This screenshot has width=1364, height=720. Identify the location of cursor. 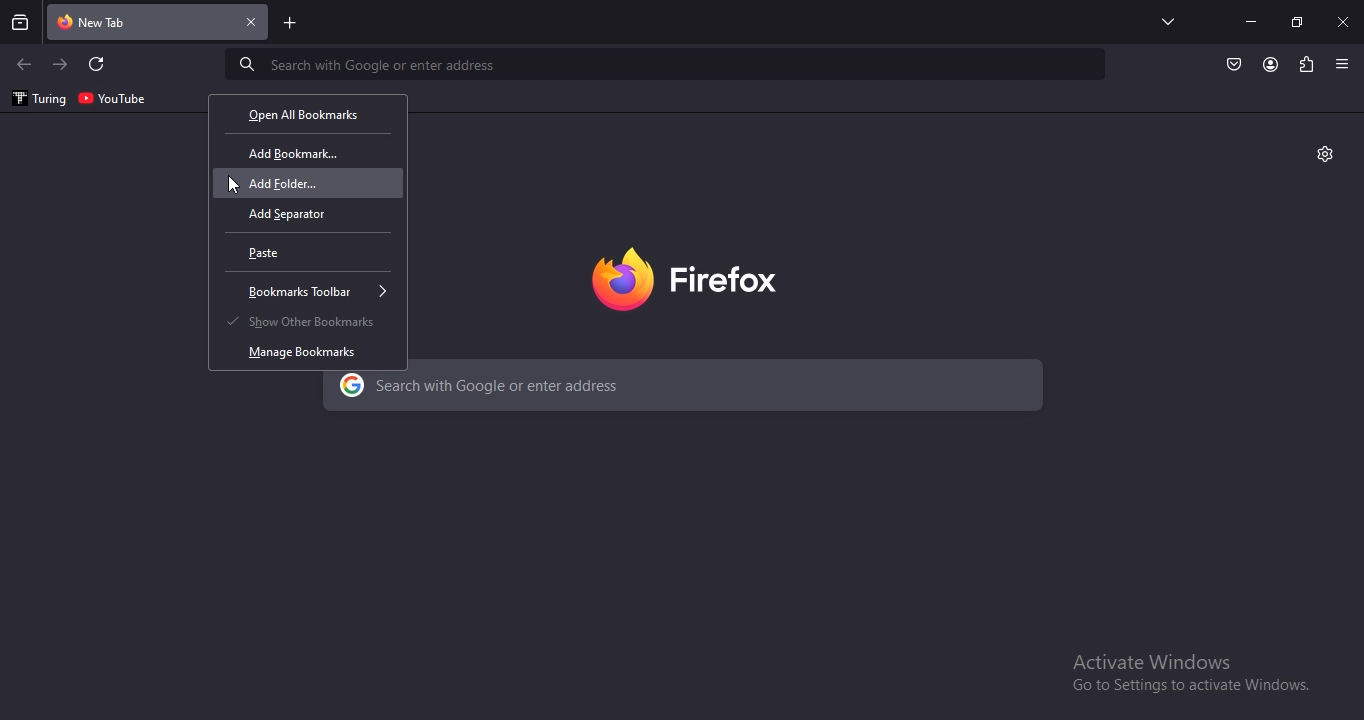
(233, 186).